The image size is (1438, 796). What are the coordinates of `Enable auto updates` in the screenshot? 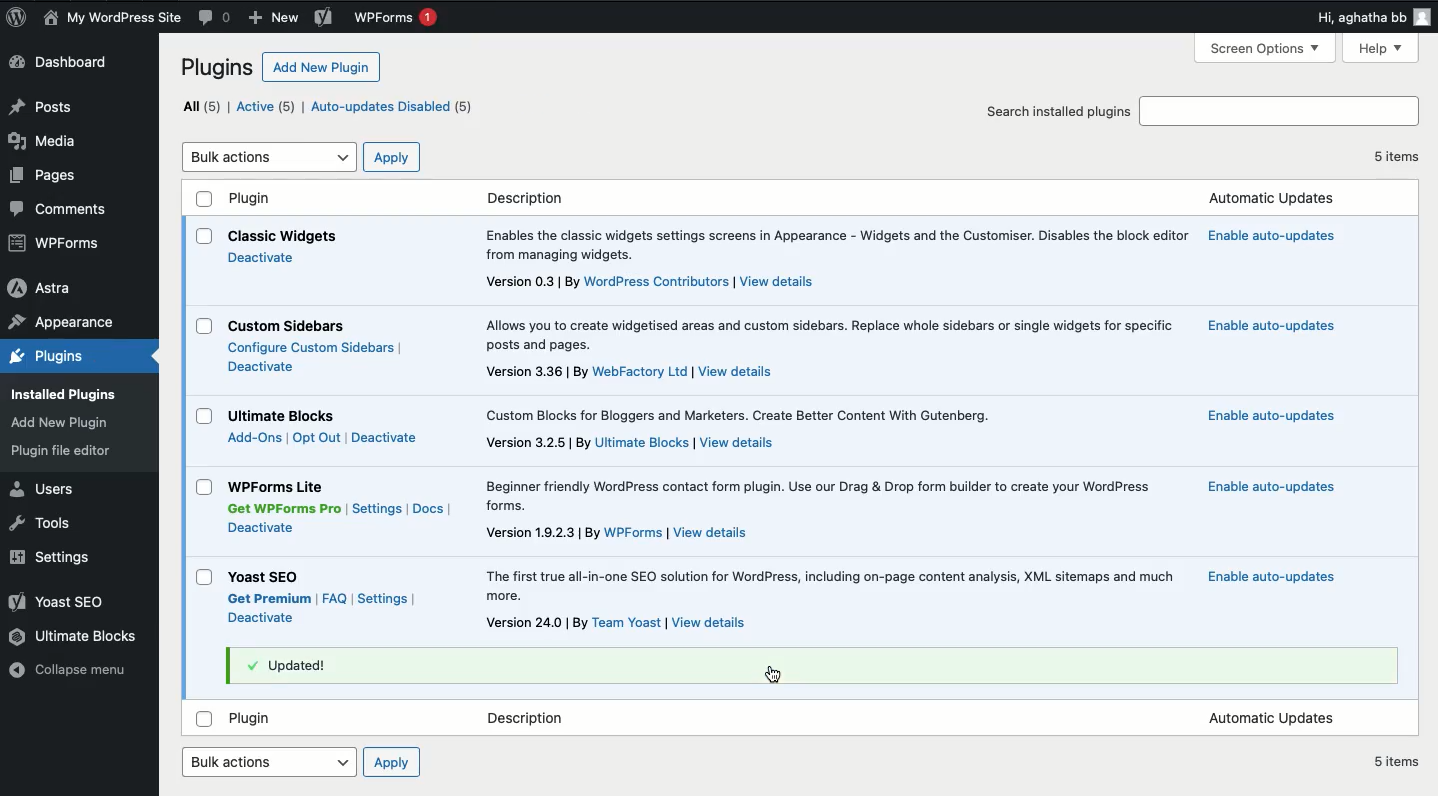 It's located at (1270, 577).